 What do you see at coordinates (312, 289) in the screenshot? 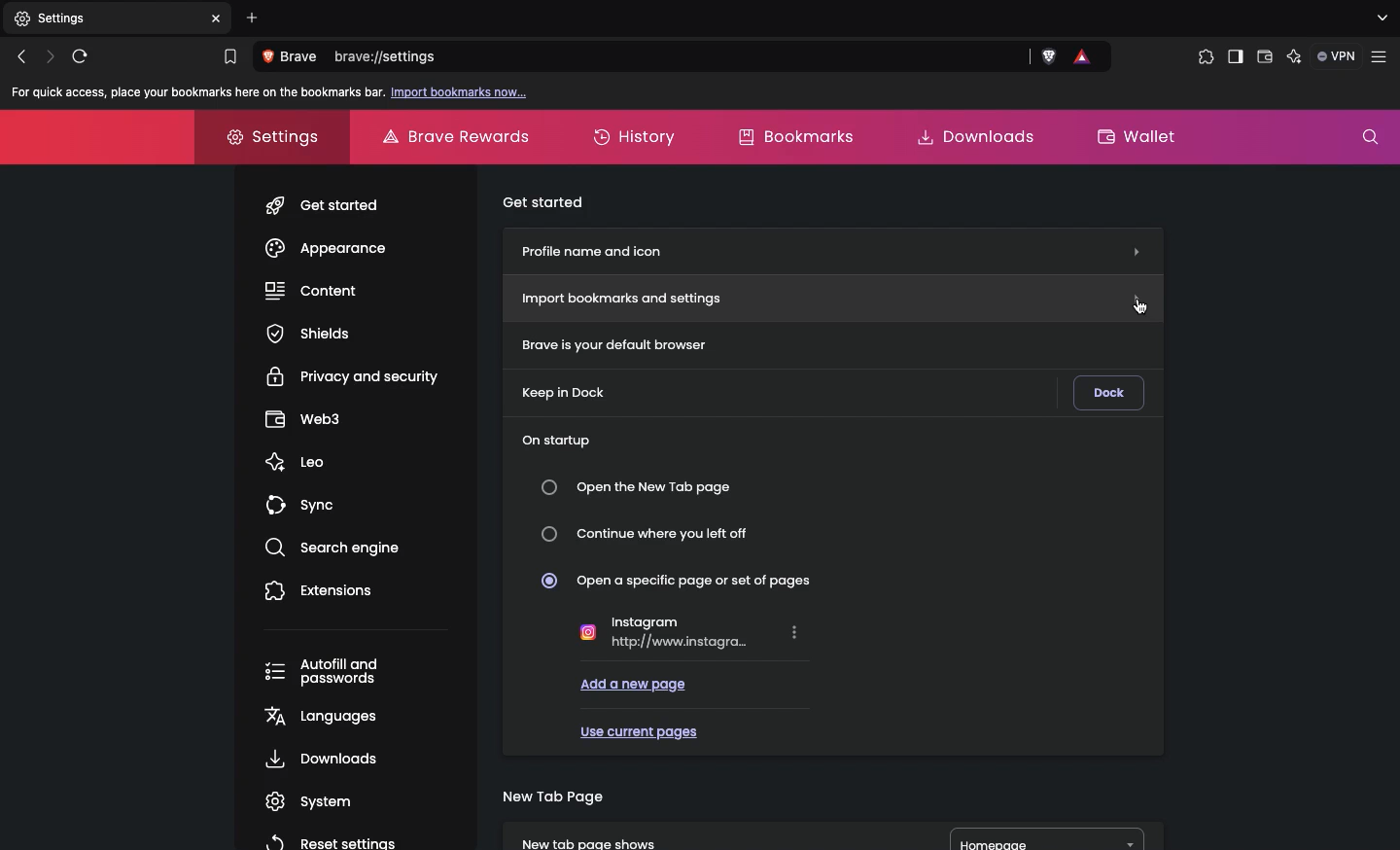
I see `Content` at bounding box center [312, 289].